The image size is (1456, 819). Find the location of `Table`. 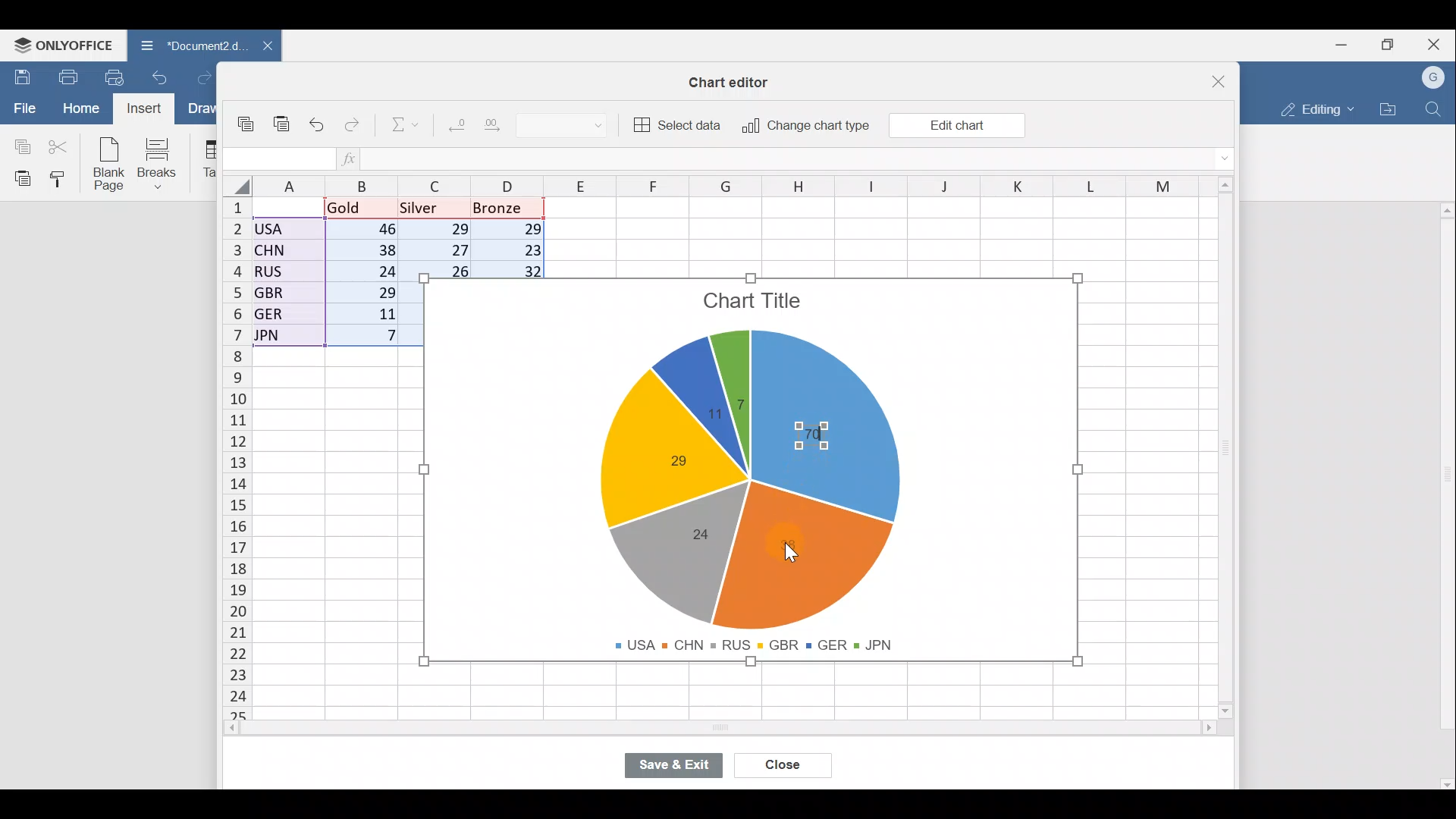

Table is located at coordinates (205, 159).